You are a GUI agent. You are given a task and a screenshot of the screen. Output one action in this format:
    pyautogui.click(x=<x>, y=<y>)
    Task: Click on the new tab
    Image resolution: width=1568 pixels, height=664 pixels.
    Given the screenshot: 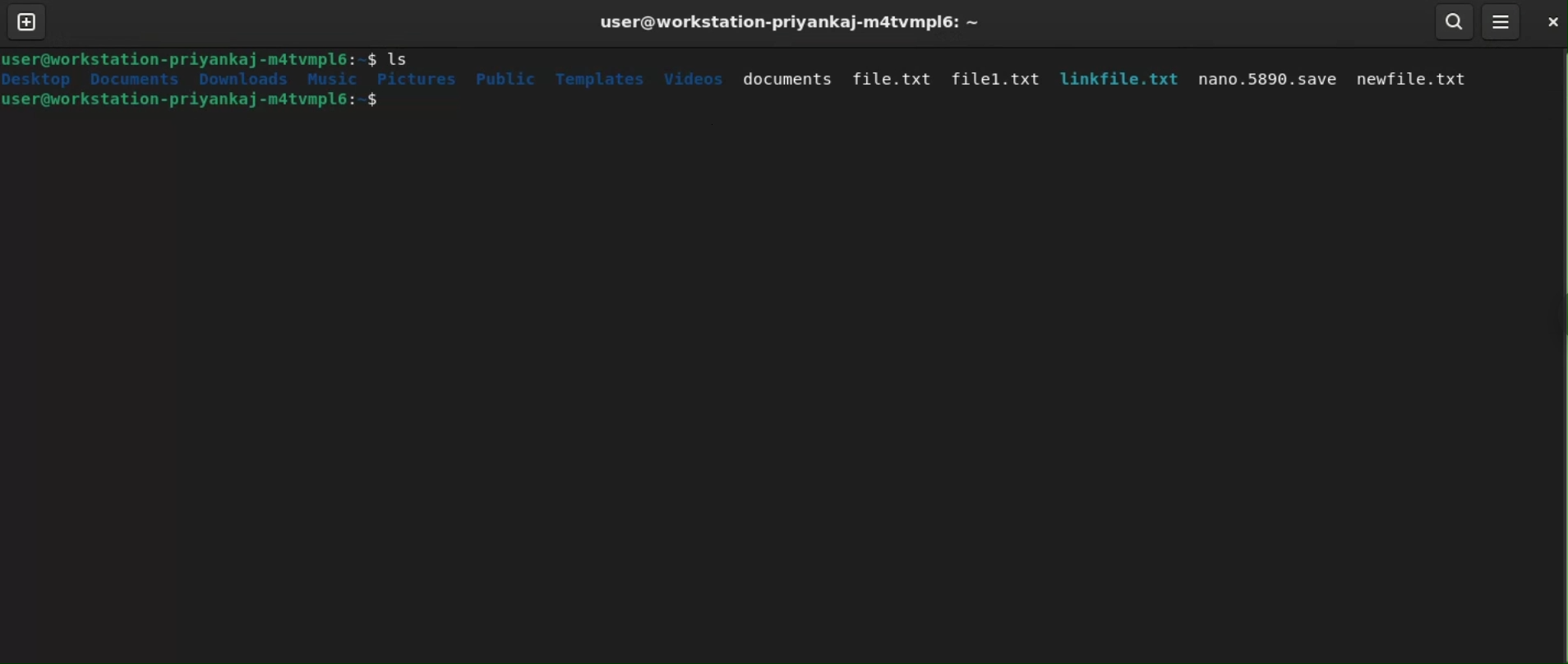 What is the action you would take?
    pyautogui.click(x=27, y=21)
    